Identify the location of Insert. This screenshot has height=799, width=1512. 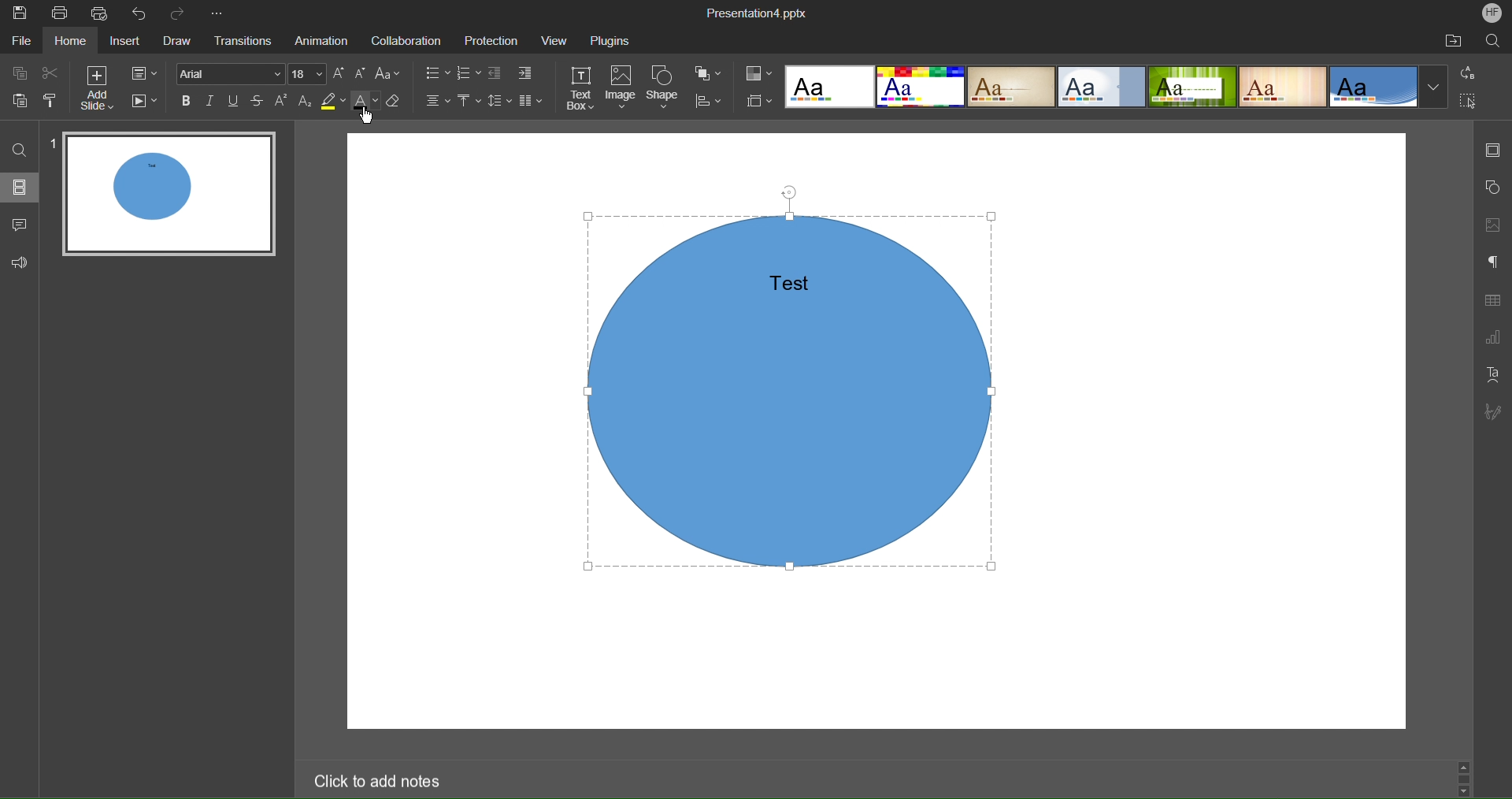
(128, 41).